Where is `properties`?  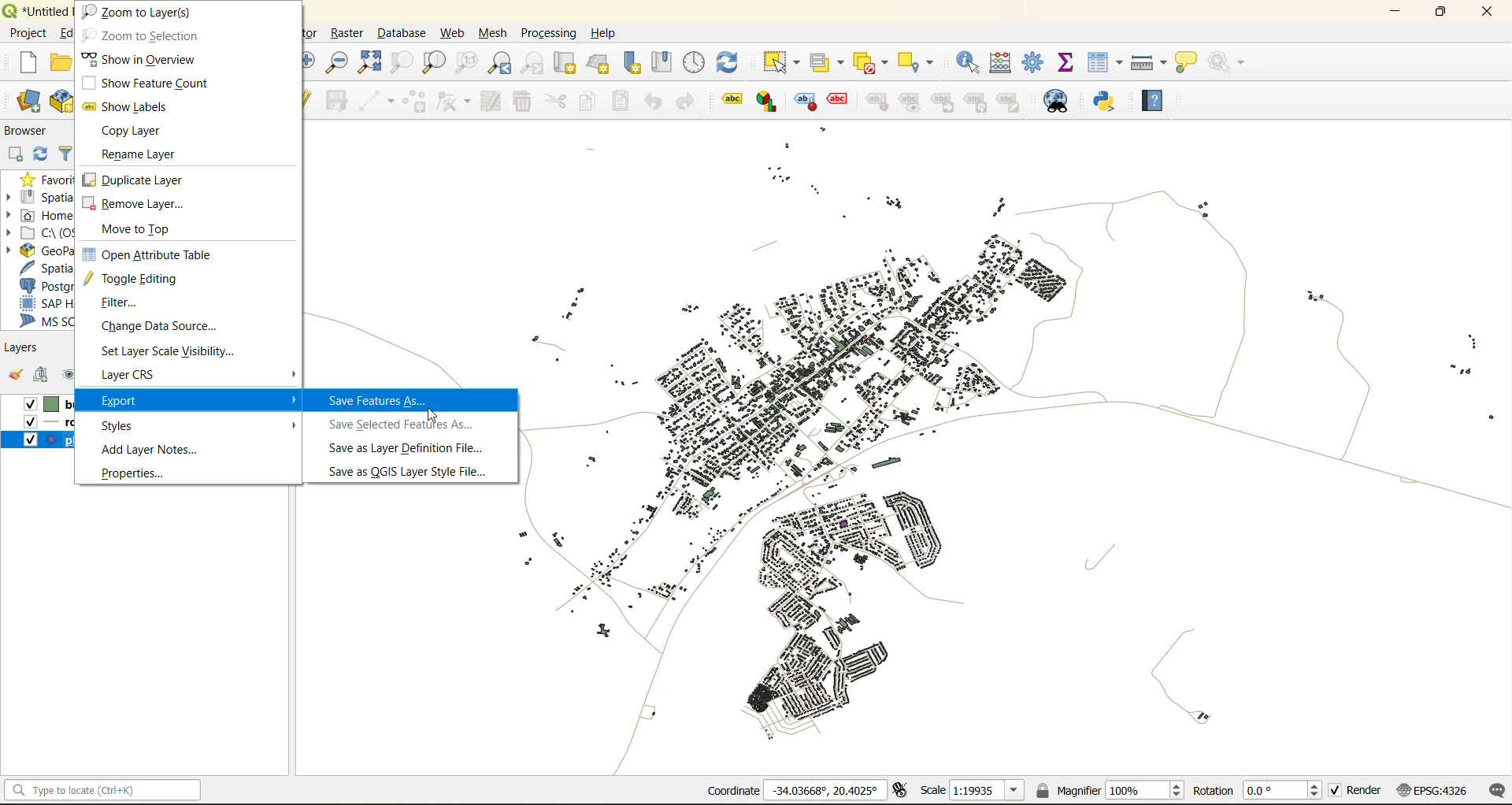
properties is located at coordinates (140, 473).